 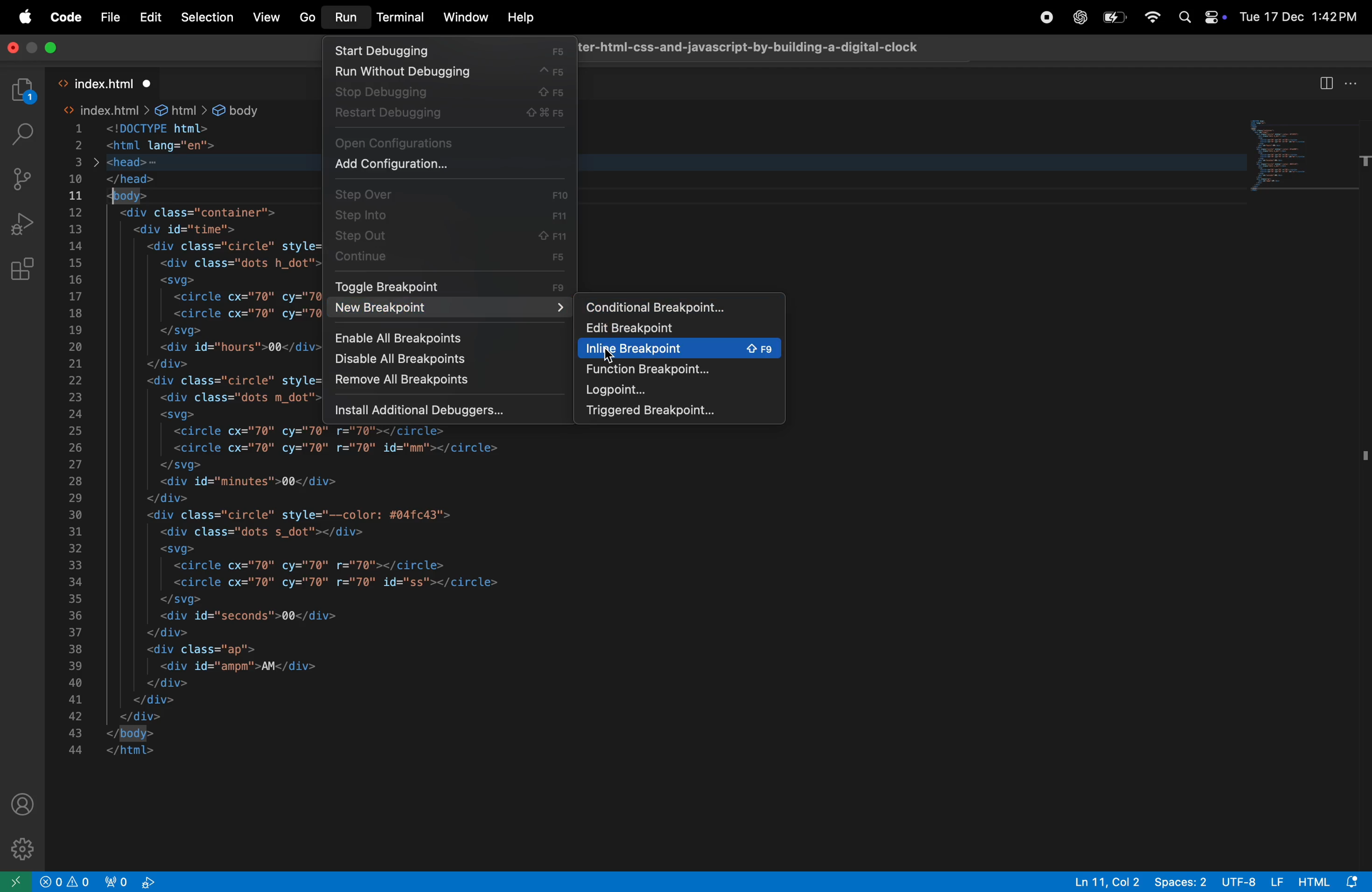 I want to click on run debug, so click(x=28, y=222).